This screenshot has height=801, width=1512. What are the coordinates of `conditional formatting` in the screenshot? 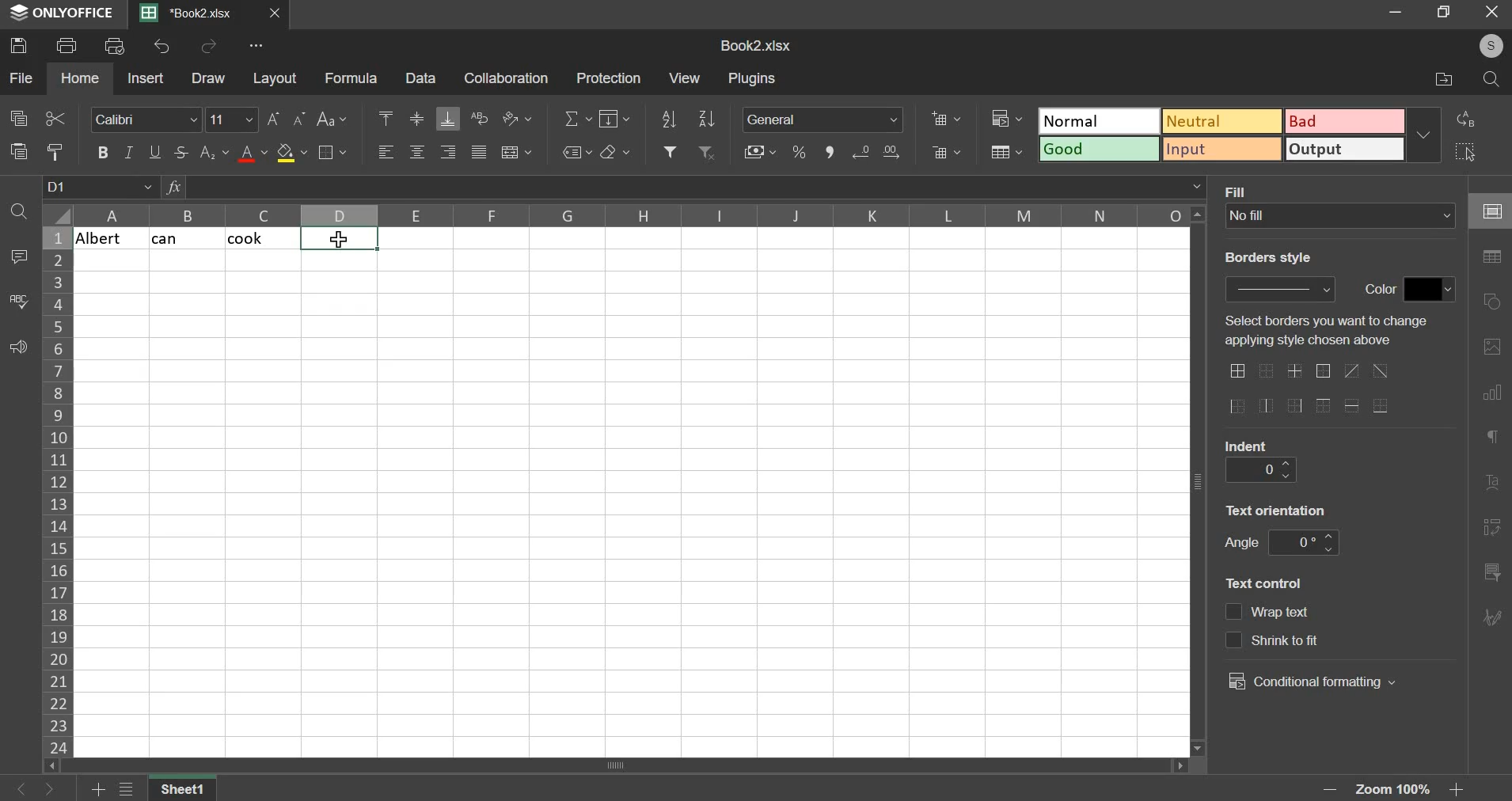 It's located at (1309, 681).